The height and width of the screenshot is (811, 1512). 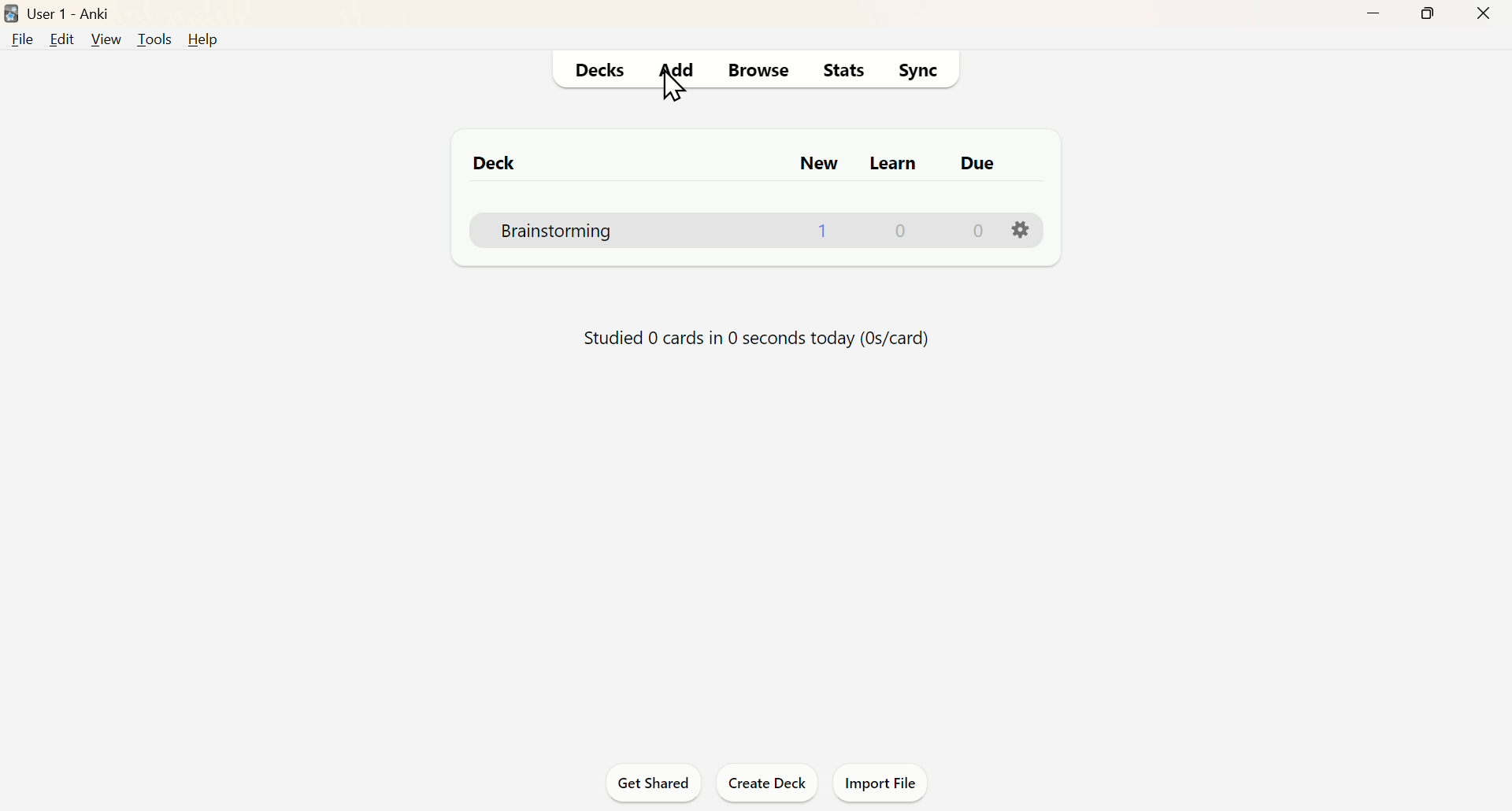 What do you see at coordinates (882, 780) in the screenshot?
I see `Import File` at bounding box center [882, 780].